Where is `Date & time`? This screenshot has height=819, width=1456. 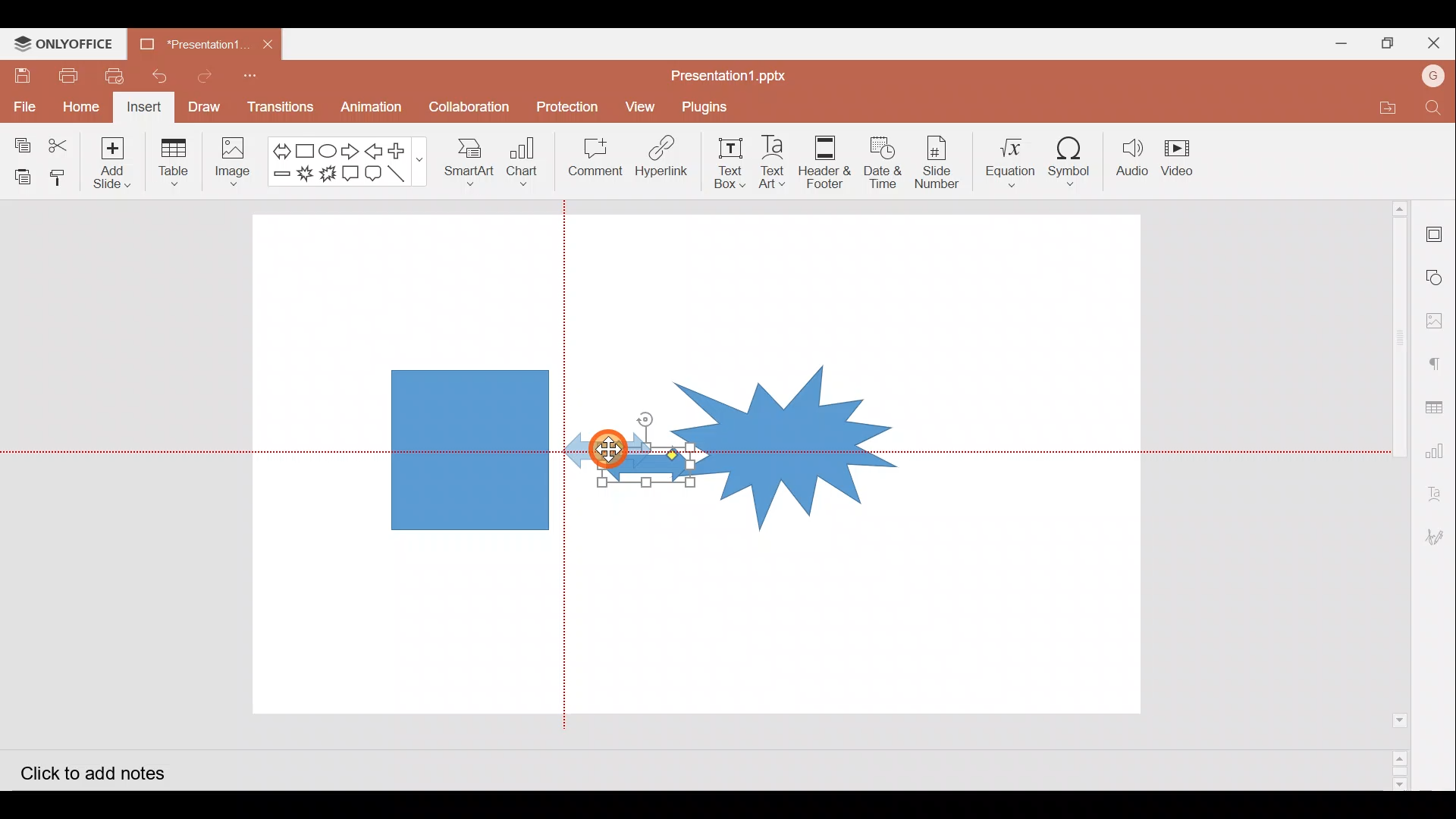
Date & time is located at coordinates (883, 162).